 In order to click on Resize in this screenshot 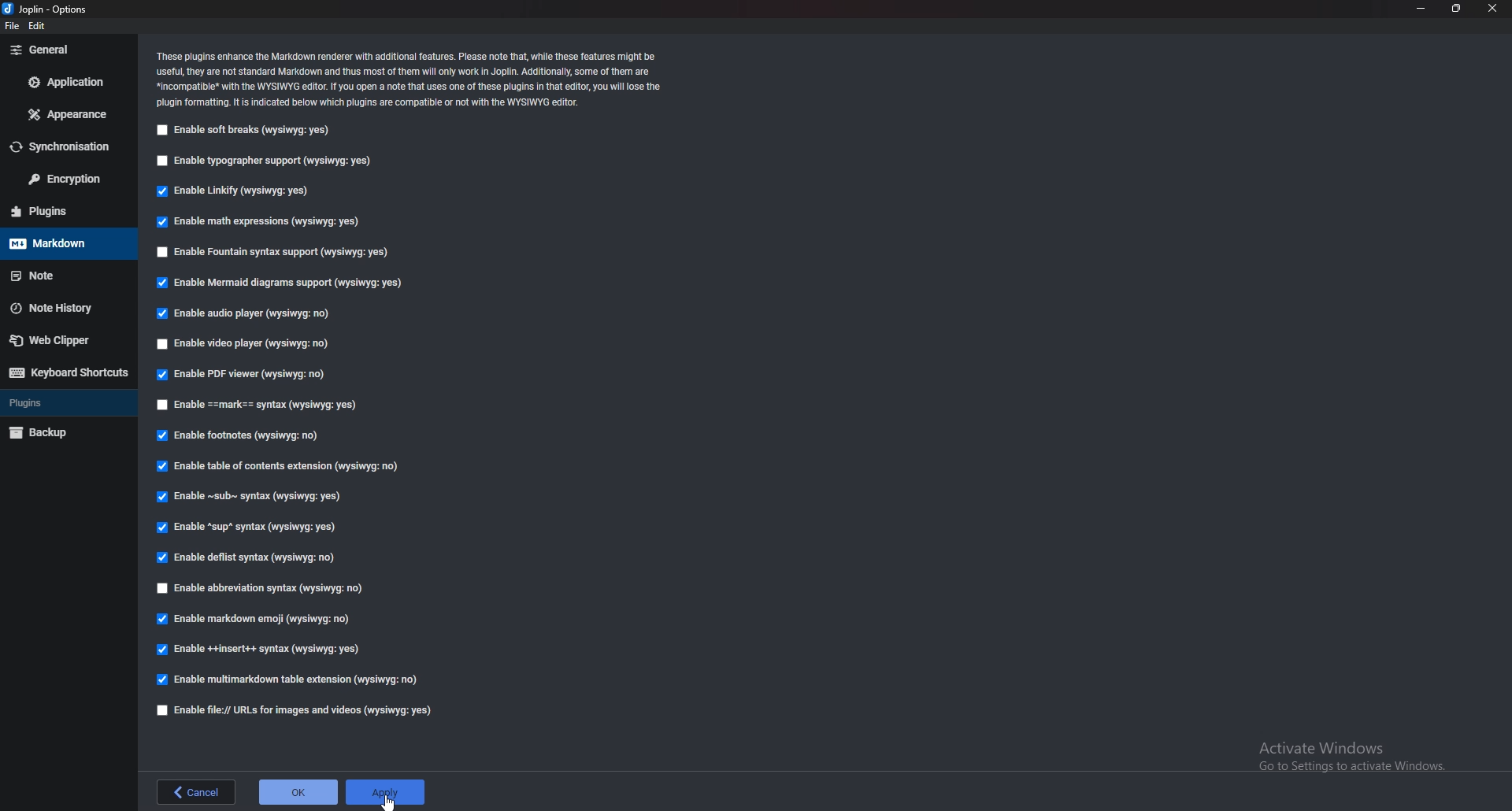, I will do `click(1457, 9)`.